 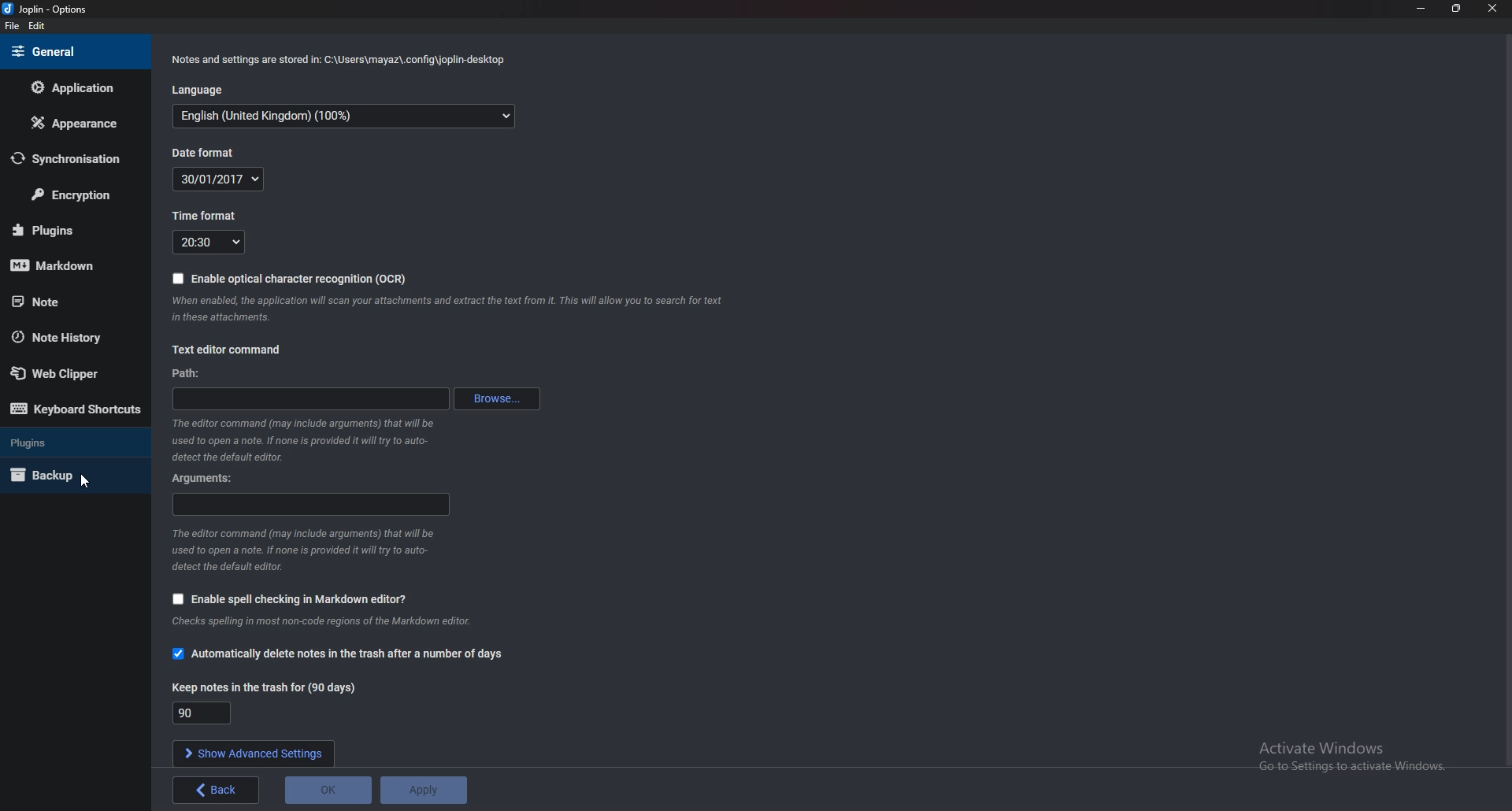 I want to click on arguments, so click(x=203, y=479).